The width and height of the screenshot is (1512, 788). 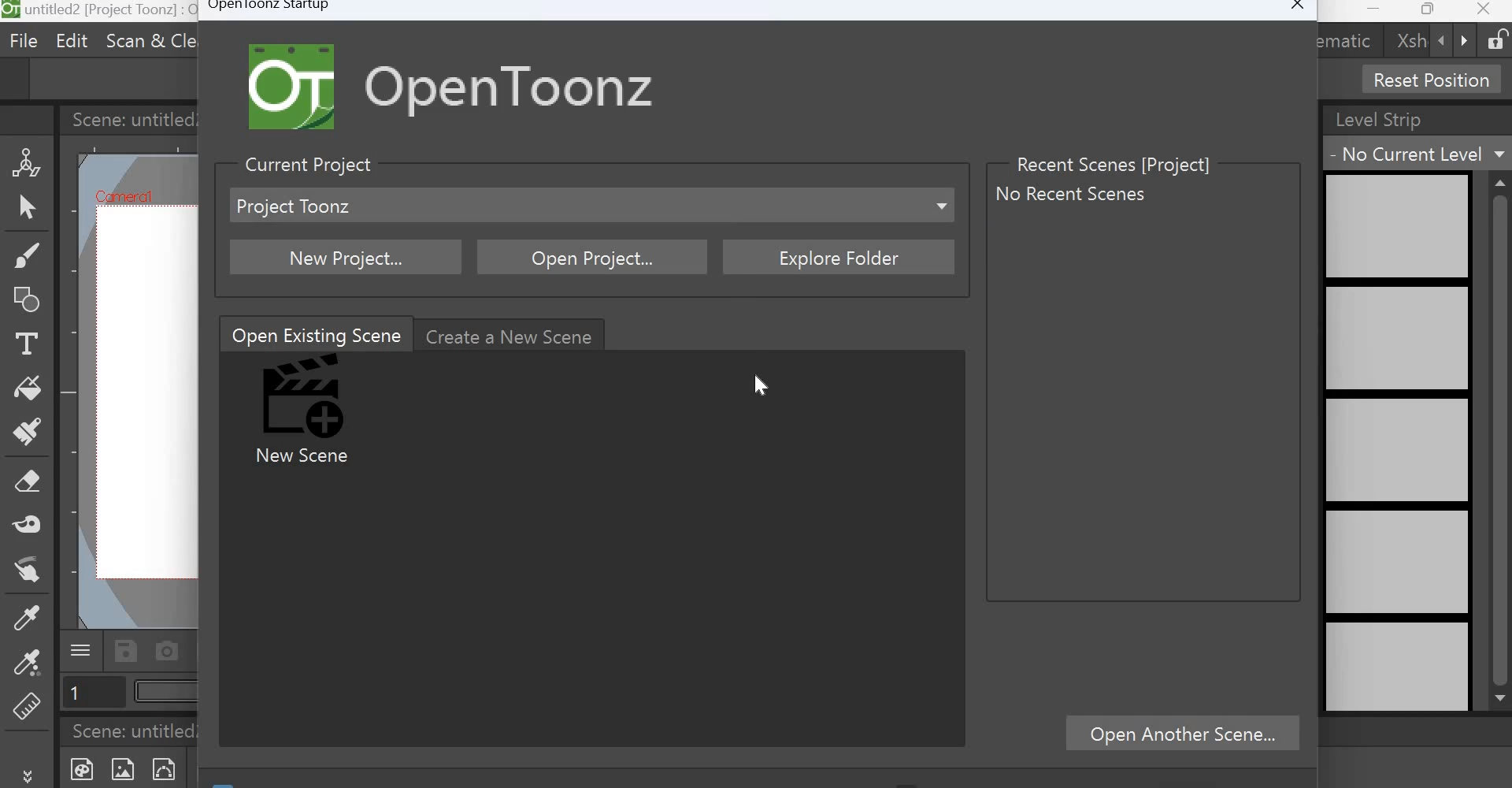 I want to click on Menu, so click(x=81, y=649).